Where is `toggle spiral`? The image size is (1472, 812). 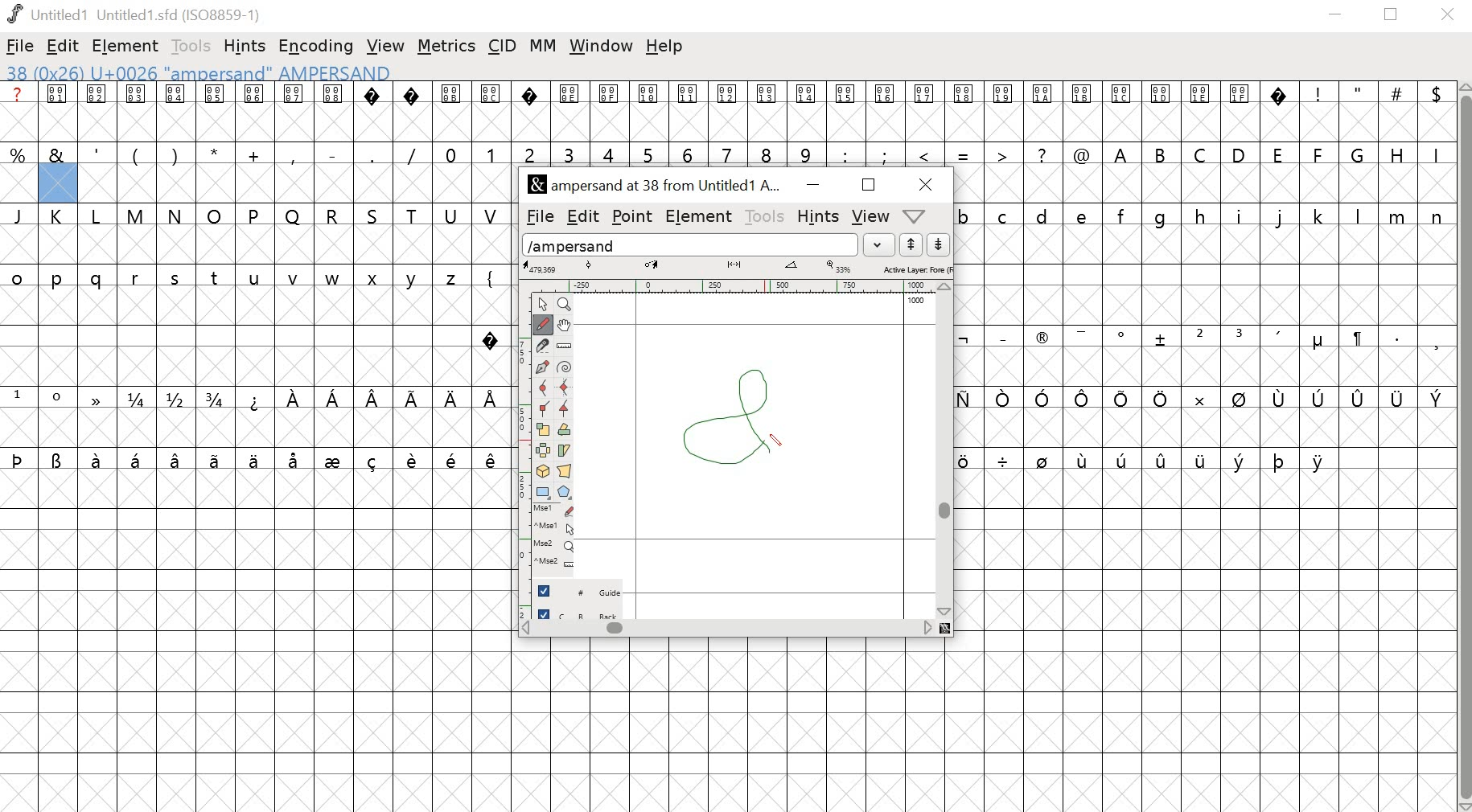 toggle spiral is located at coordinates (565, 367).